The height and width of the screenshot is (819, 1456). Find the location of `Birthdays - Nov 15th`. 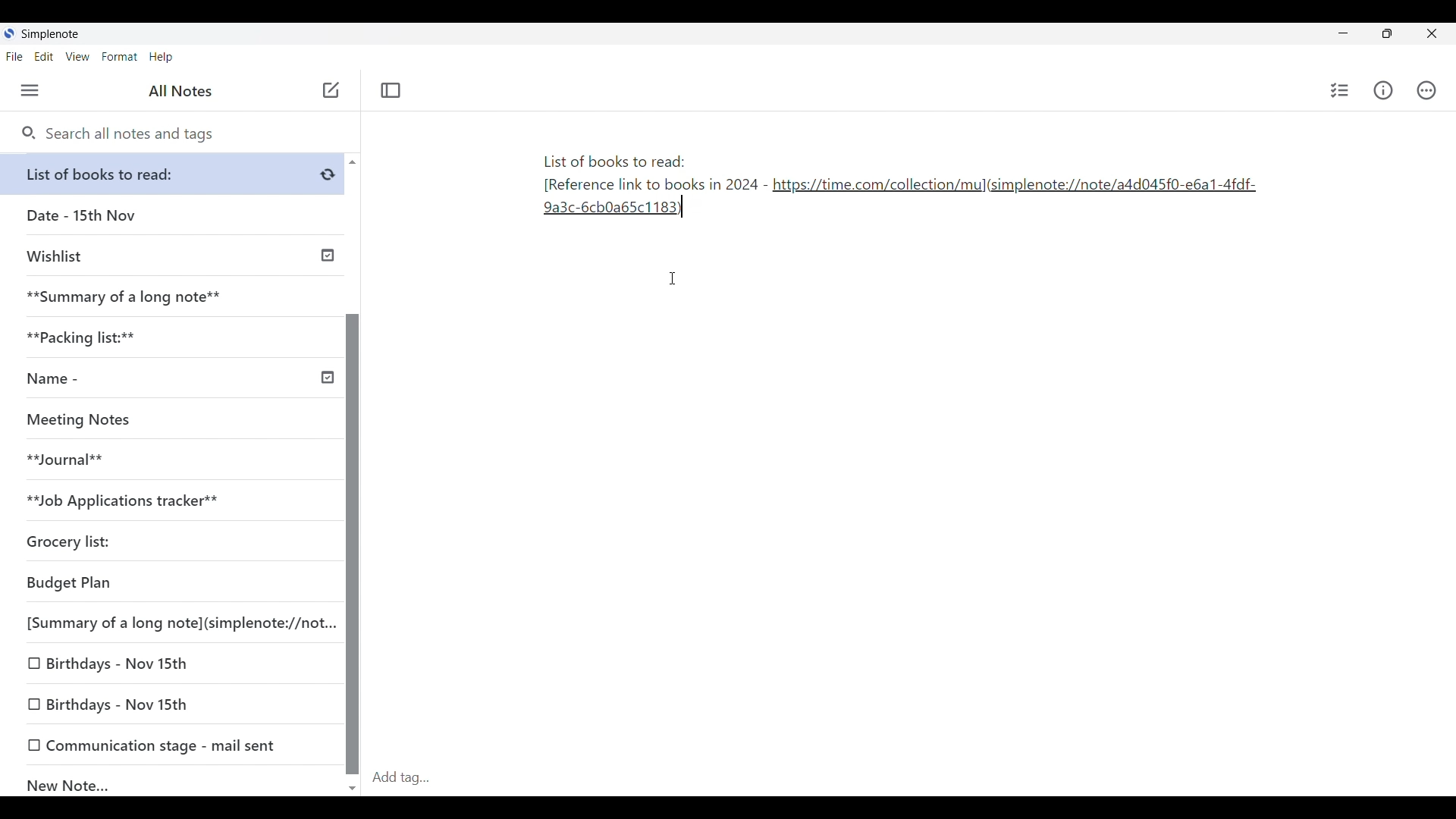

Birthdays - Nov 15th is located at coordinates (174, 705).